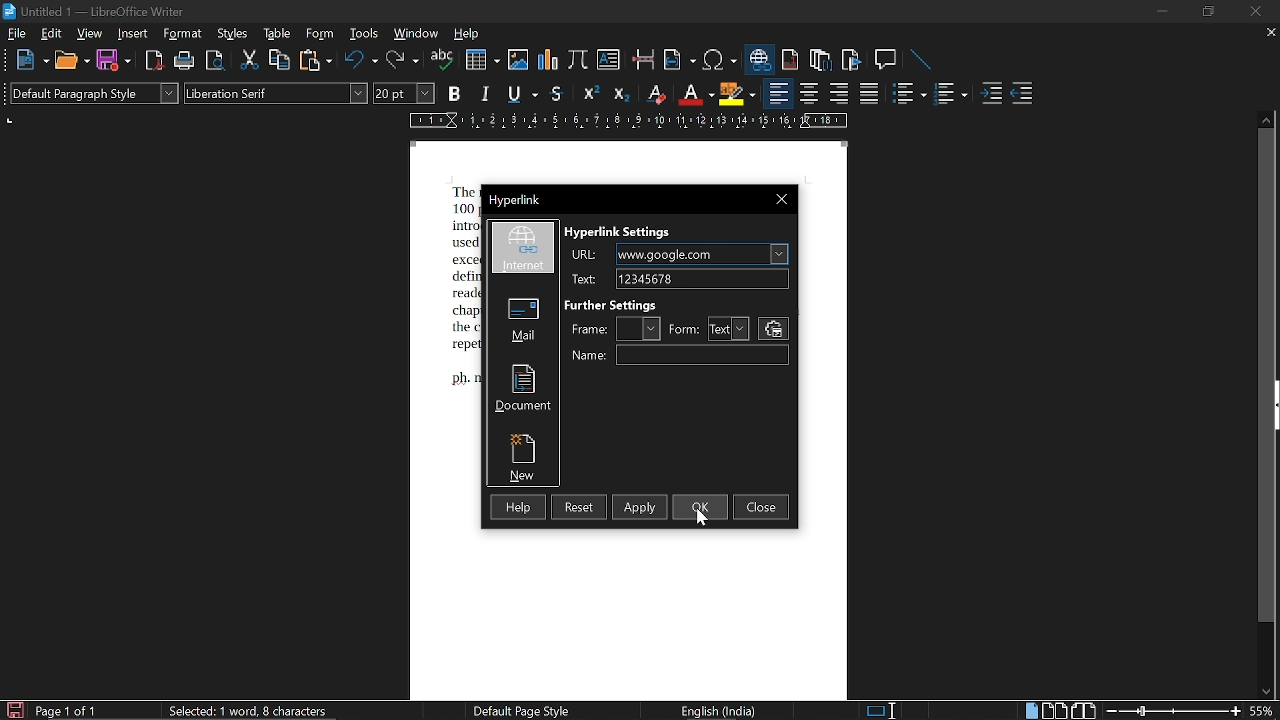  I want to click on insert symbol, so click(718, 60).